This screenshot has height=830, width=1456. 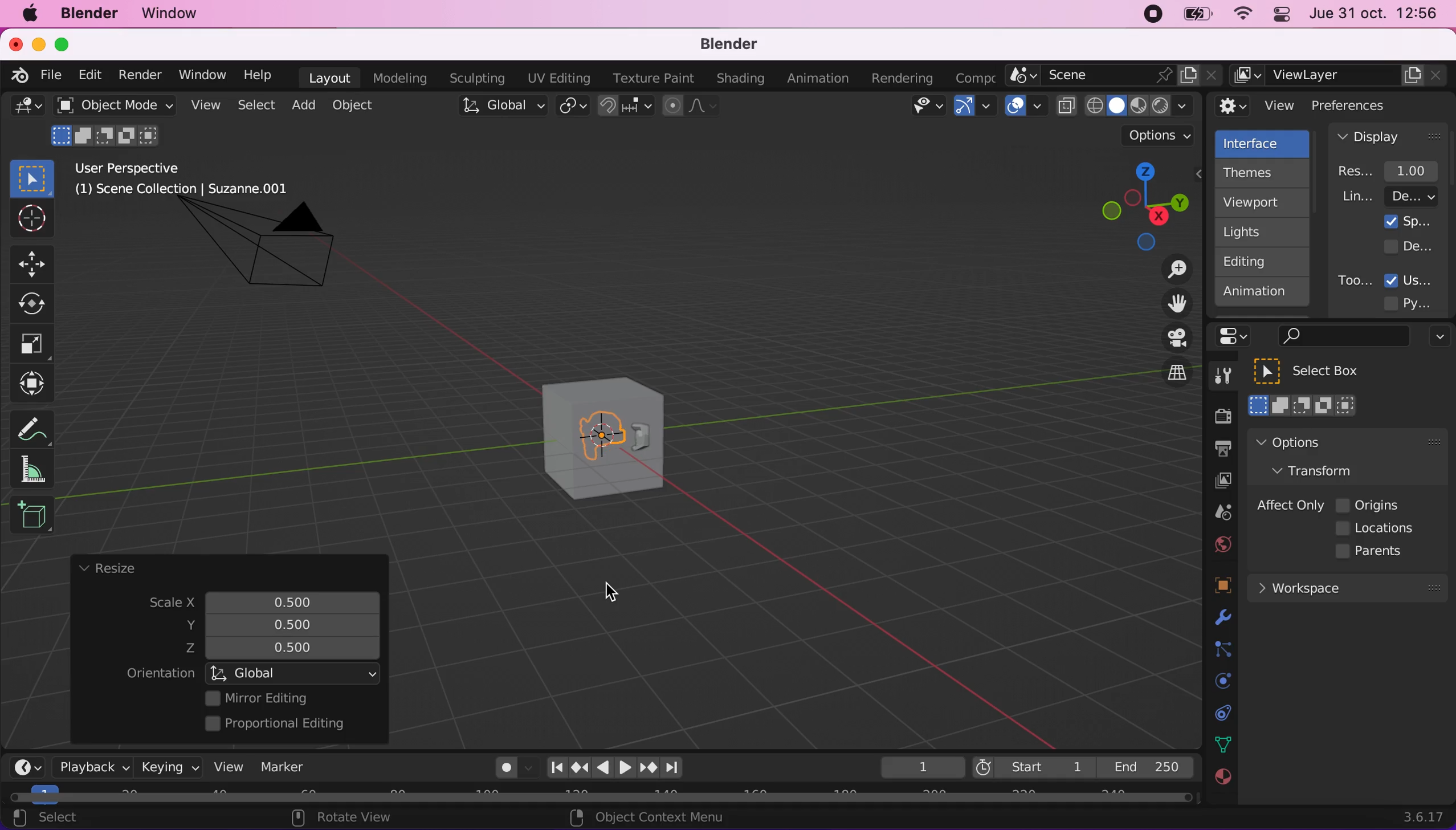 I want to click on object mode, so click(x=111, y=105).